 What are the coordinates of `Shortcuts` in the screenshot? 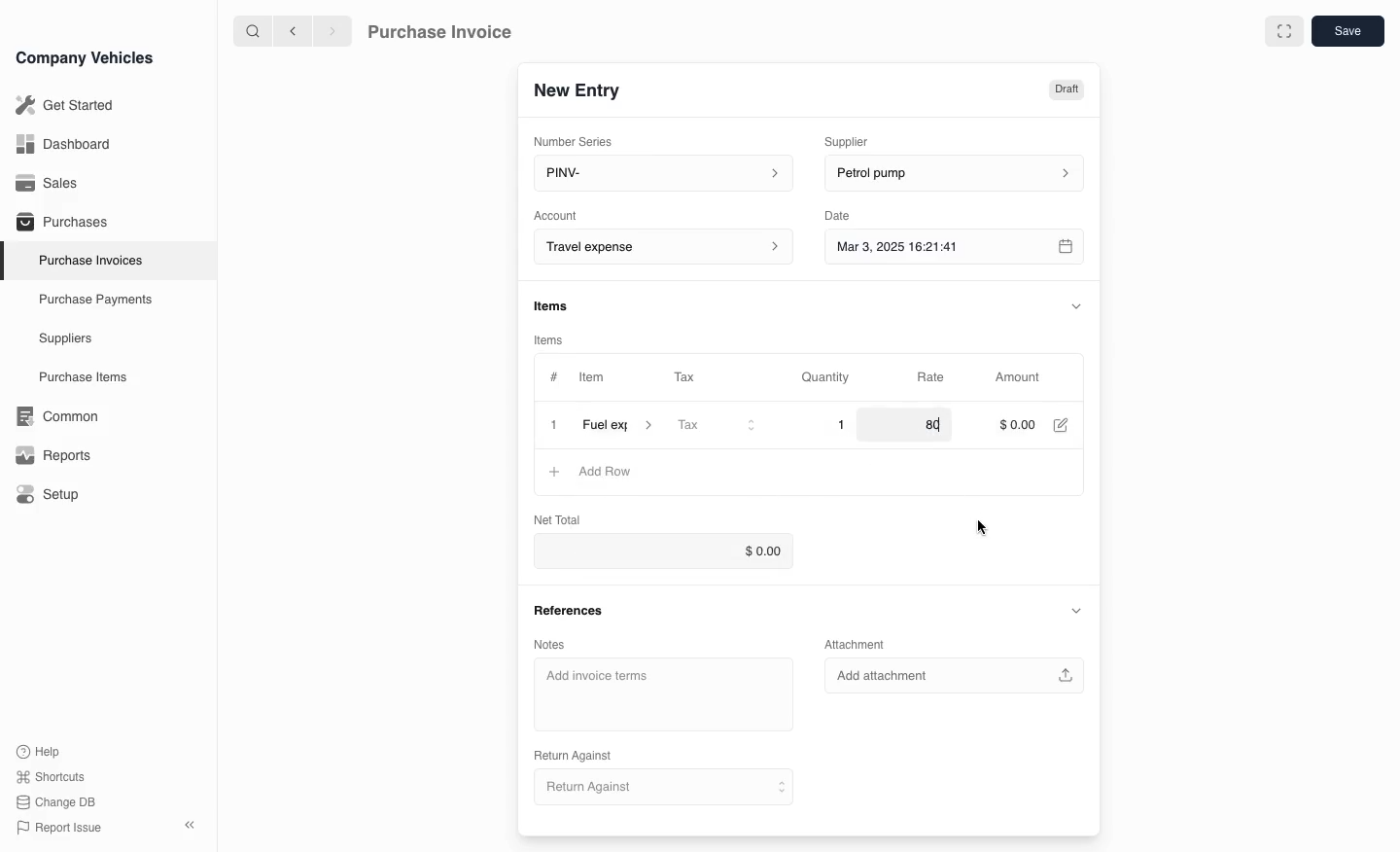 It's located at (52, 778).